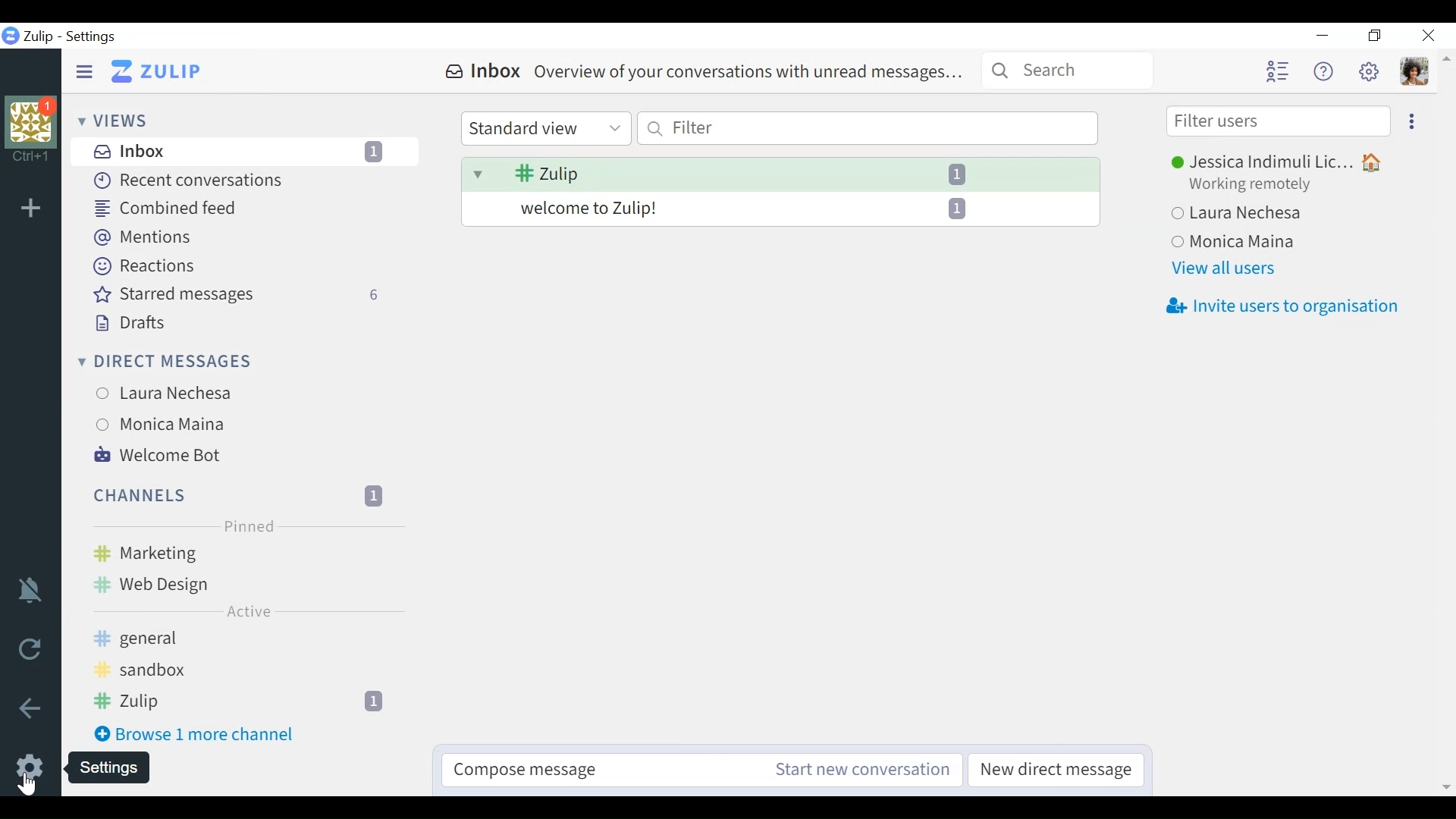 Image resolution: width=1456 pixels, height=819 pixels. What do you see at coordinates (1278, 162) in the screenshot?
I see `User` at bounding box center [1278, 162].